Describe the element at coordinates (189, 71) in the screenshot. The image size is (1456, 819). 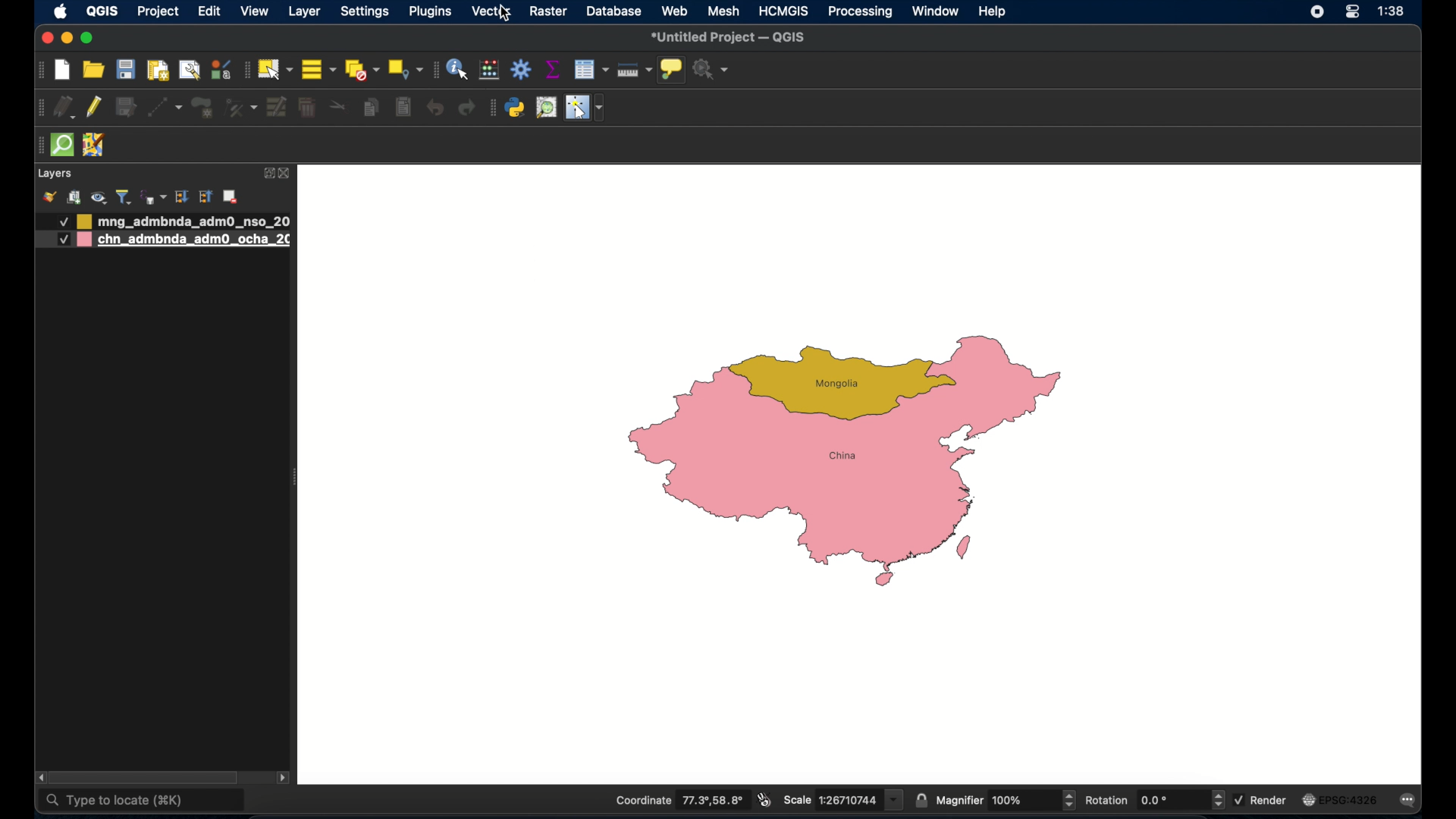
I see `show layout manager` at that location.